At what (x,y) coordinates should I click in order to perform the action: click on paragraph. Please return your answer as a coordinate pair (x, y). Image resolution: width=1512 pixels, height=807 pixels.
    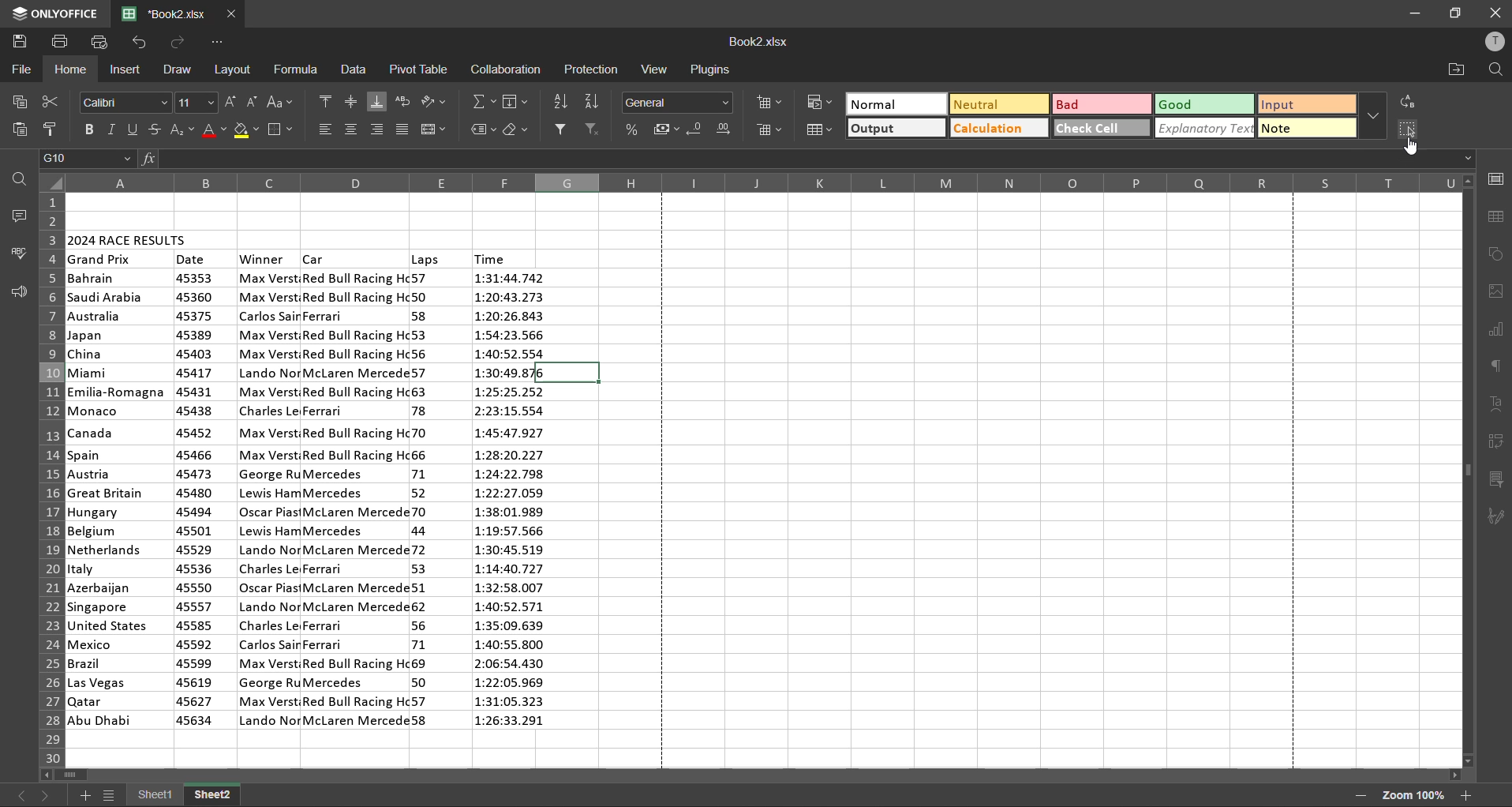
    Looking at the image, I should click on (1494, 371).